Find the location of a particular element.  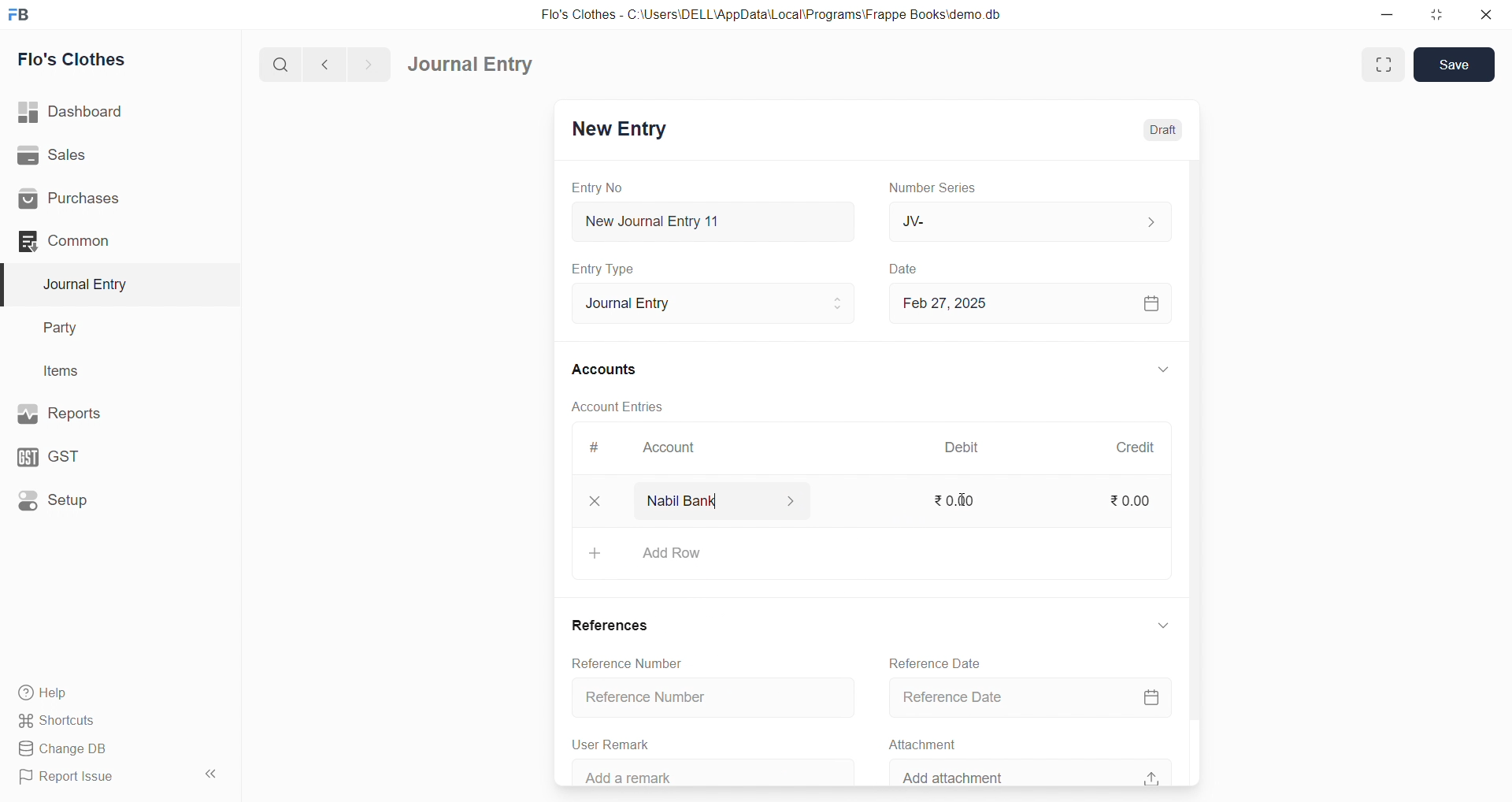

₹0.00 is located at coordinates (959, 503).